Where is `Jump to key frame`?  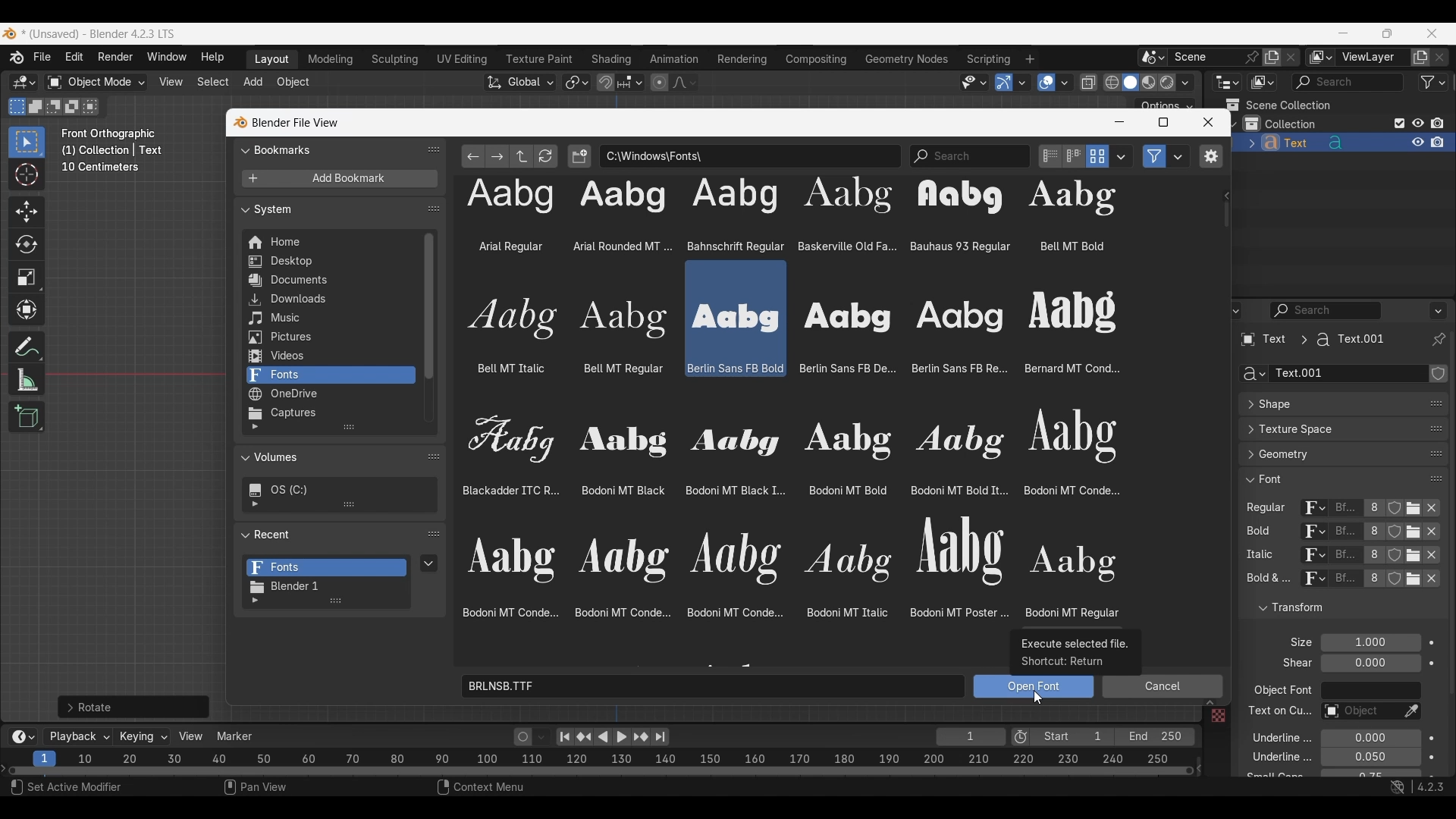
Jump to key frame is located at coordinates (641, 737).